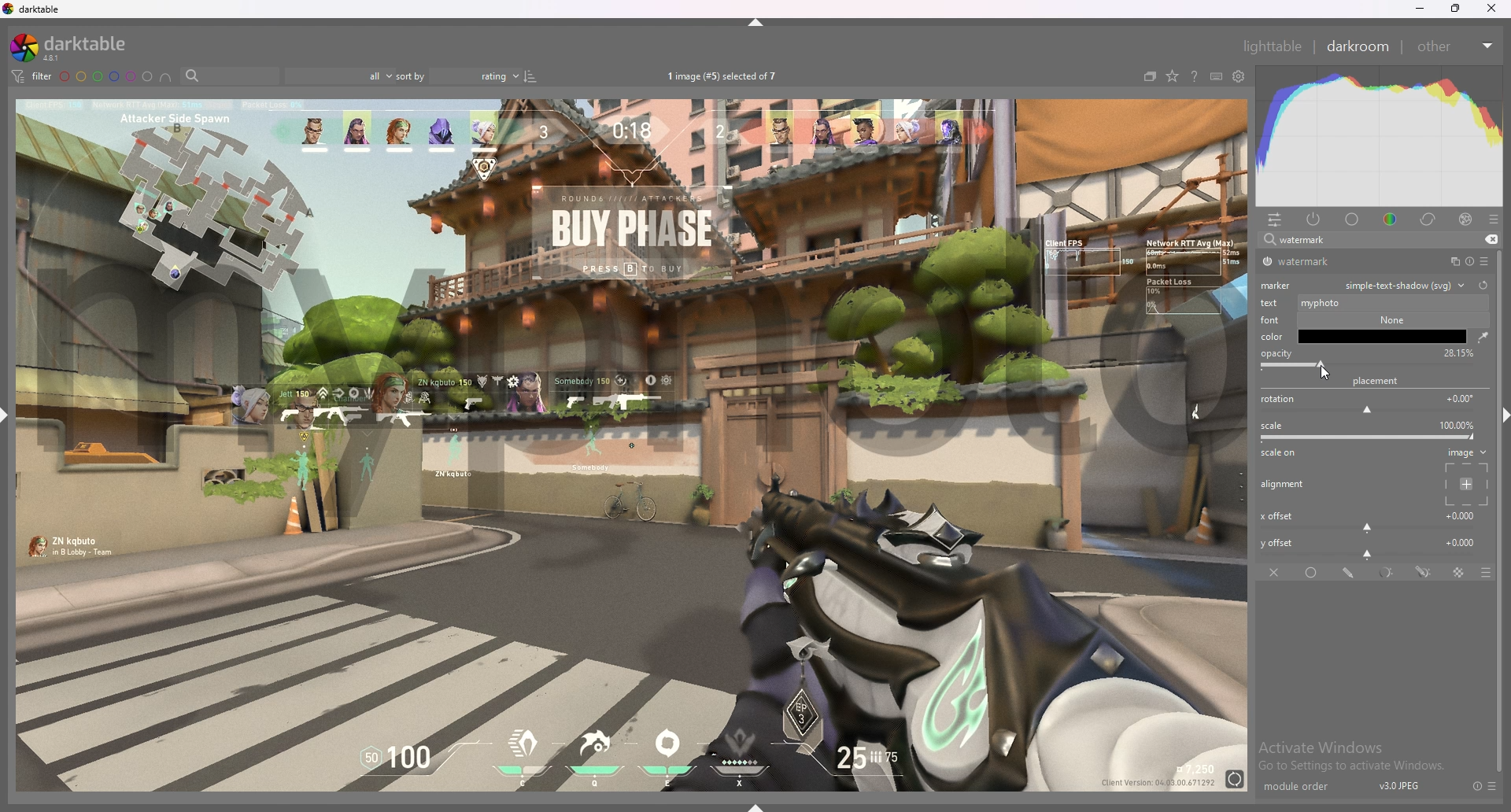  I want to click on hide, so click(1498, 413).